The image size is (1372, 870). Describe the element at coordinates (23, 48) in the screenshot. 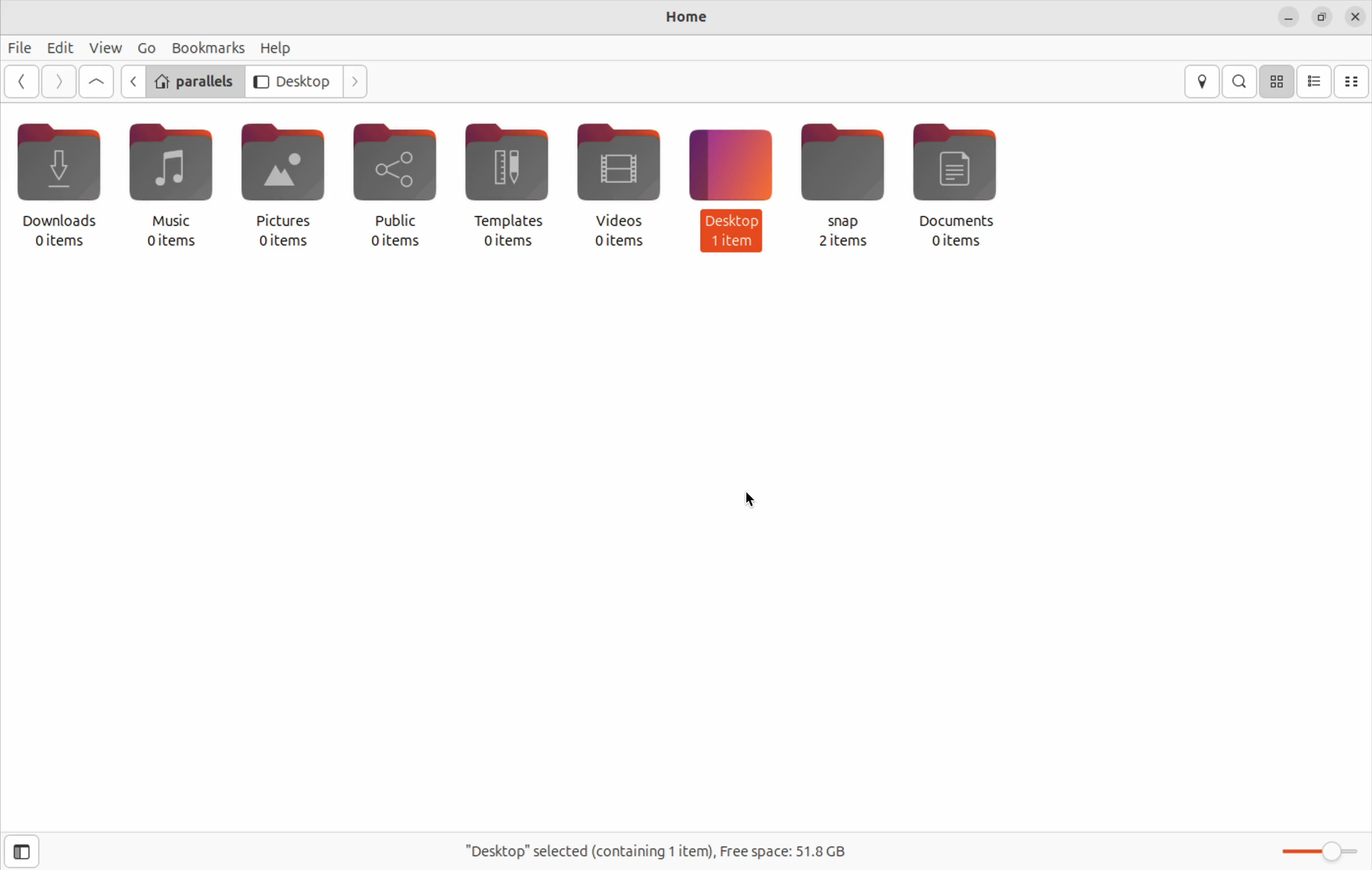

I see `file` at that location.